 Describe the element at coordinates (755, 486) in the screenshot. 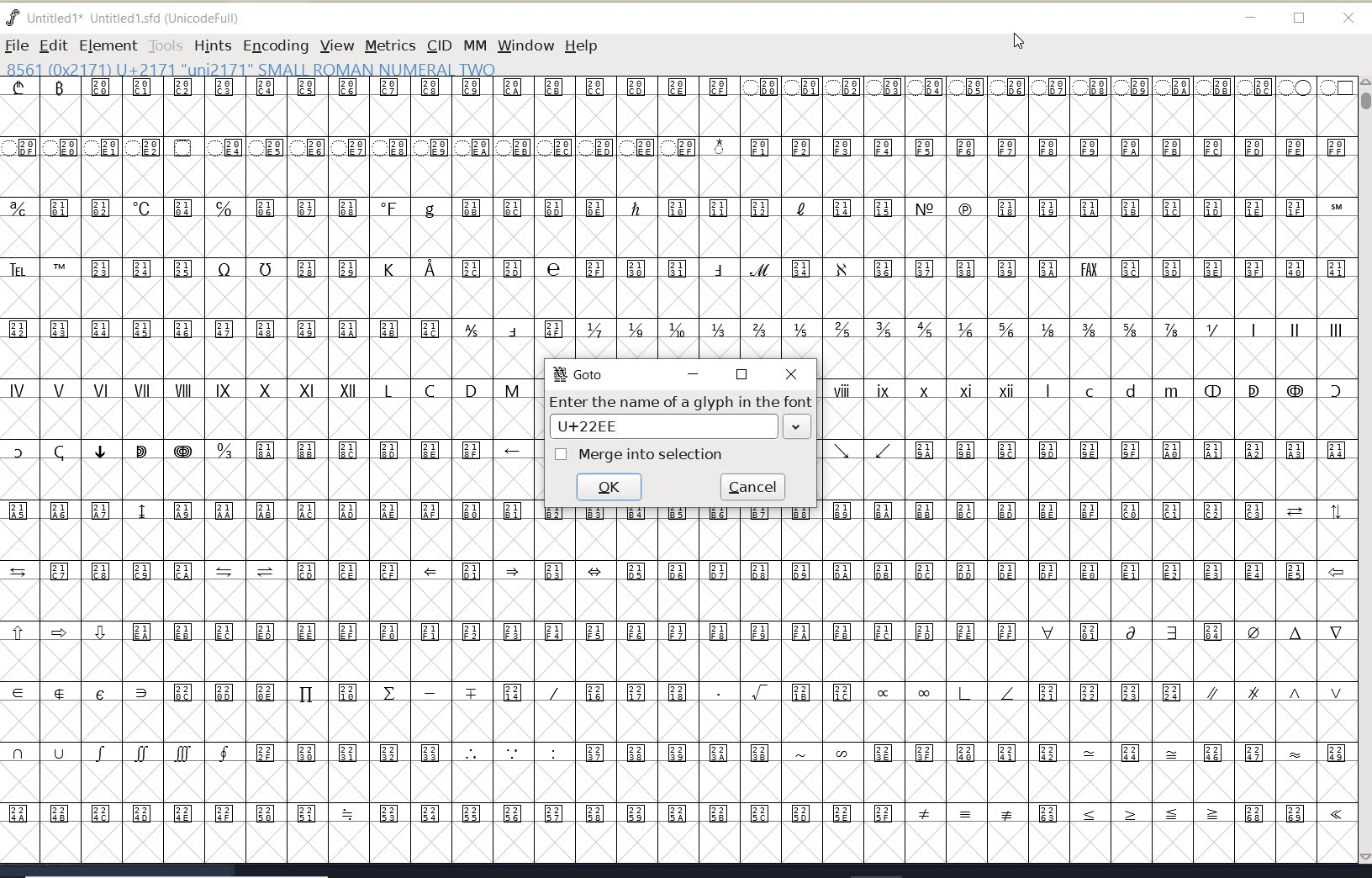

I see `cancel` at that location.